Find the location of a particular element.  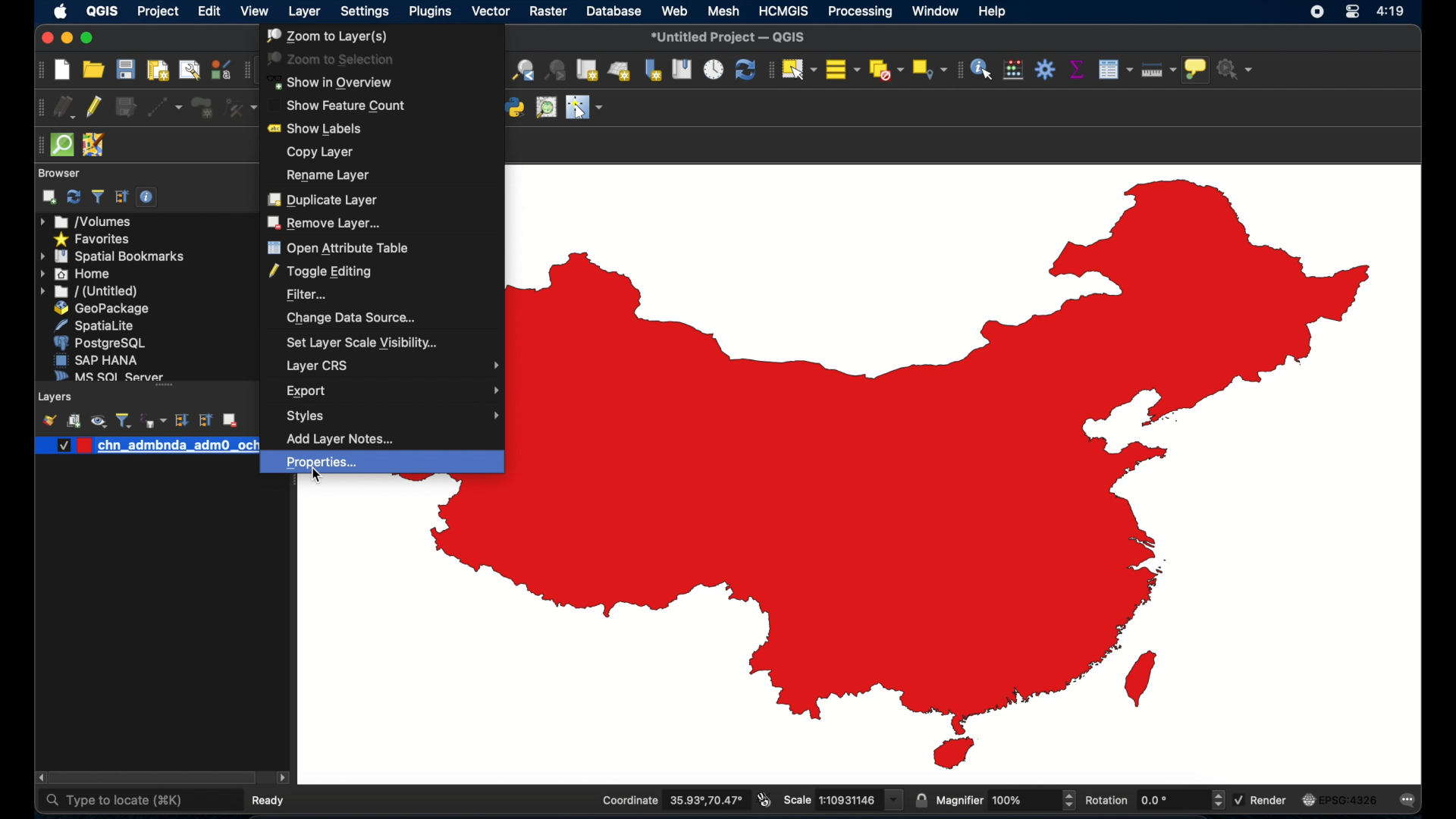

render is located at coordinates (1260, 799).